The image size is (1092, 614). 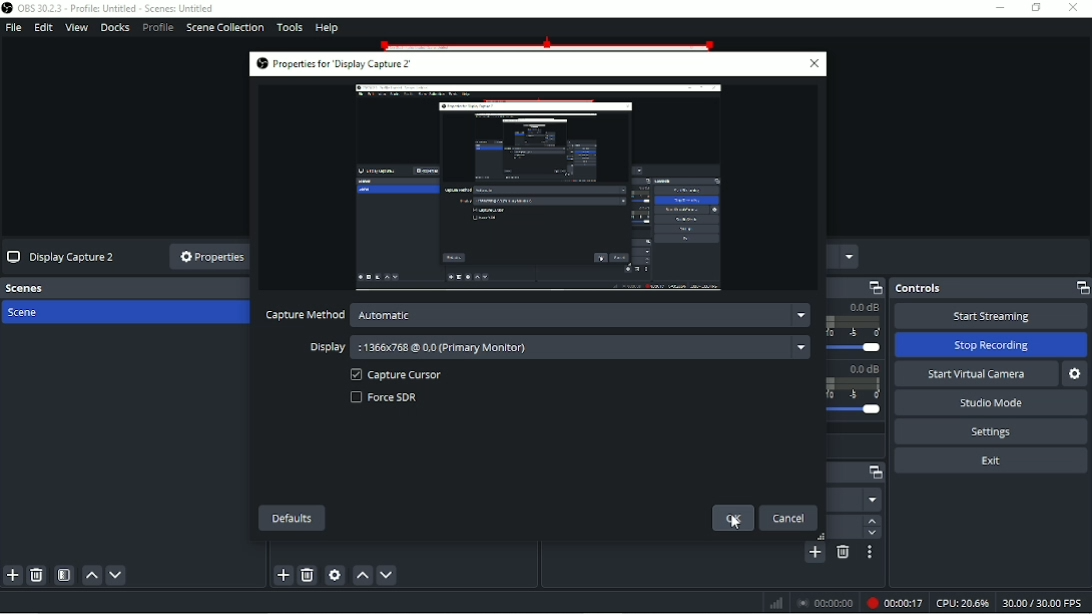 I want to click on Stop recording, so click(x=992, y=345).